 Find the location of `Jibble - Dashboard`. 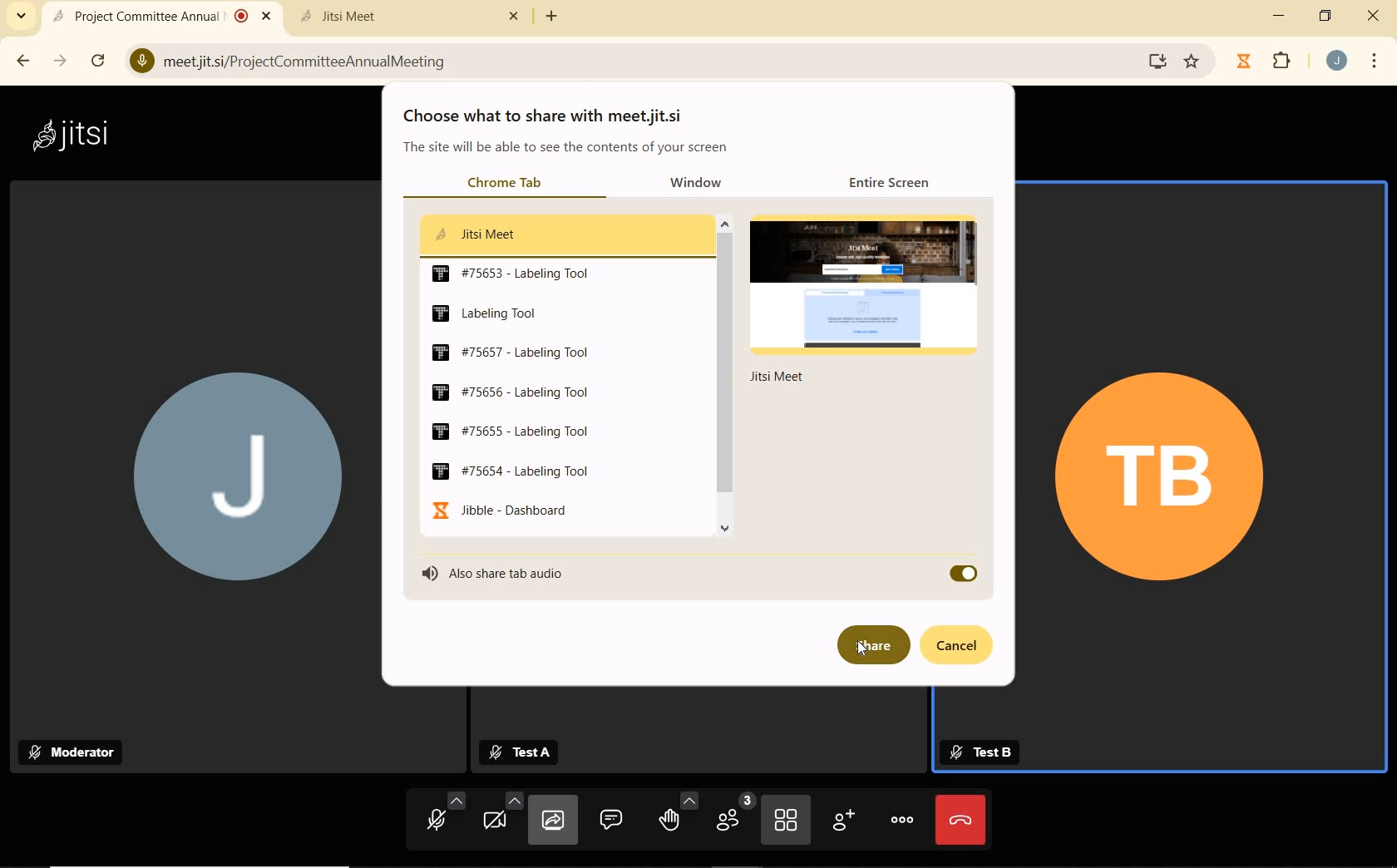

Jibble - Dashboard is located at coordinates (498, 510).